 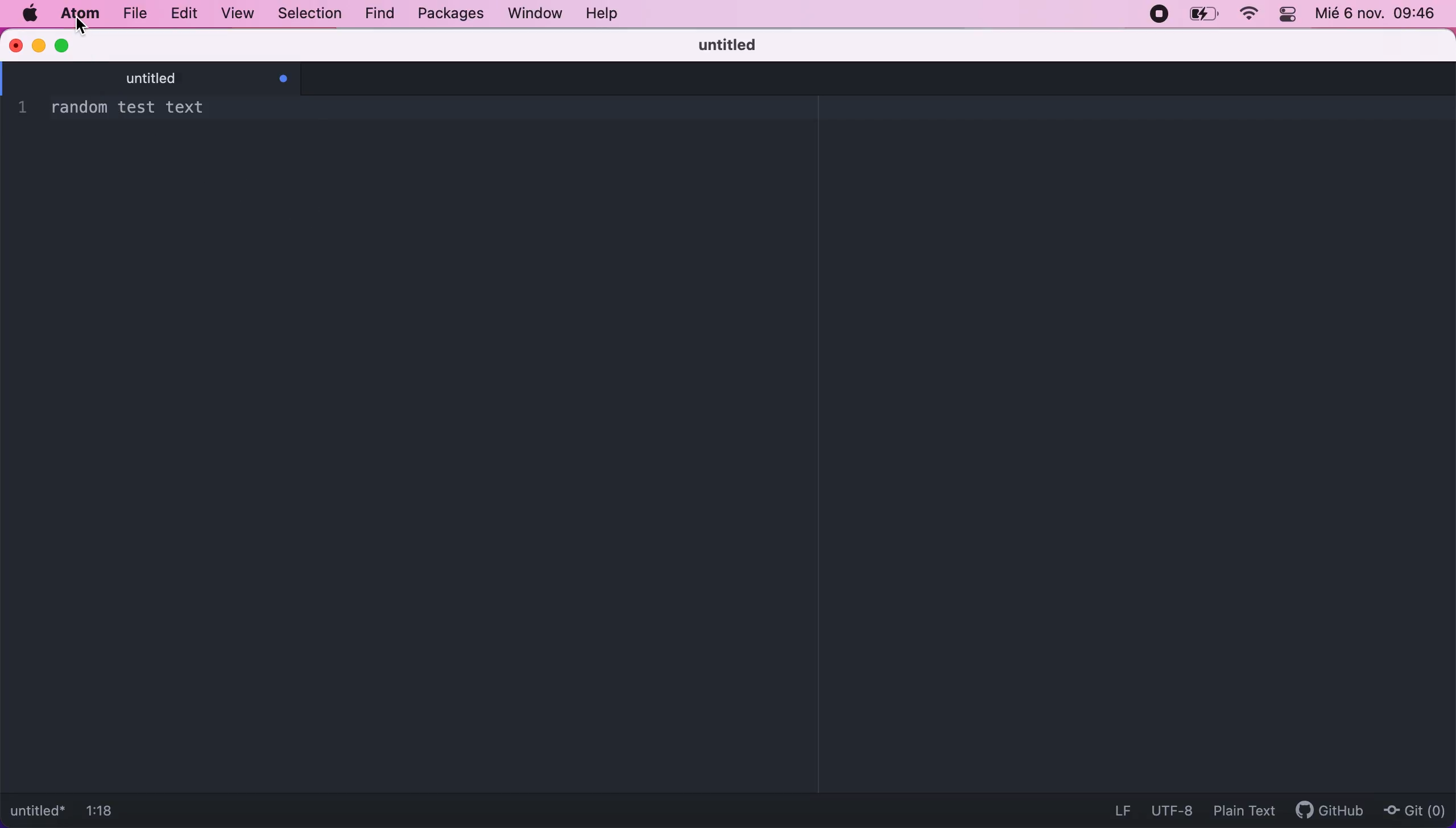 What do you see at coordinates (17, 45) in the screenshot?
I see `close` at bounding box center [17, 45].